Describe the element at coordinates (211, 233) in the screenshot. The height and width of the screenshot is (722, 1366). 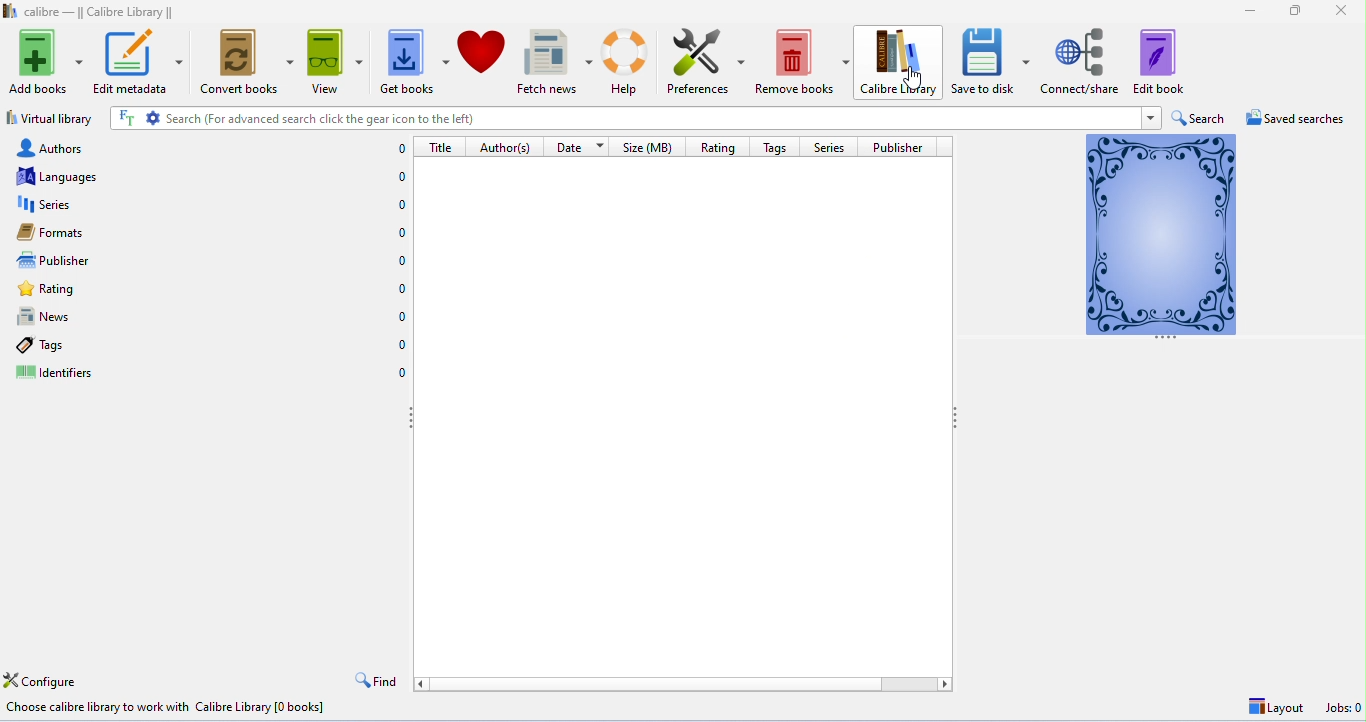
I see `formats` at that location.